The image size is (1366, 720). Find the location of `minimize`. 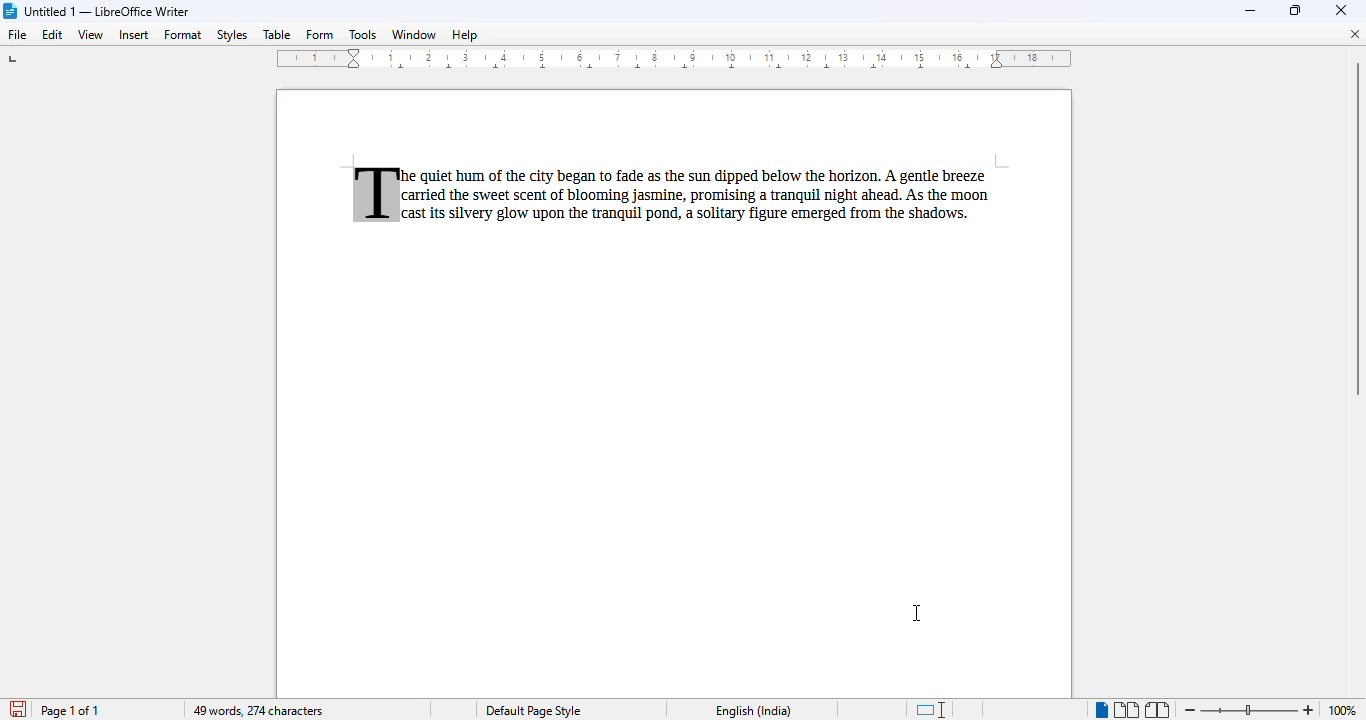

minimize is located at coordinates (1251, 12).